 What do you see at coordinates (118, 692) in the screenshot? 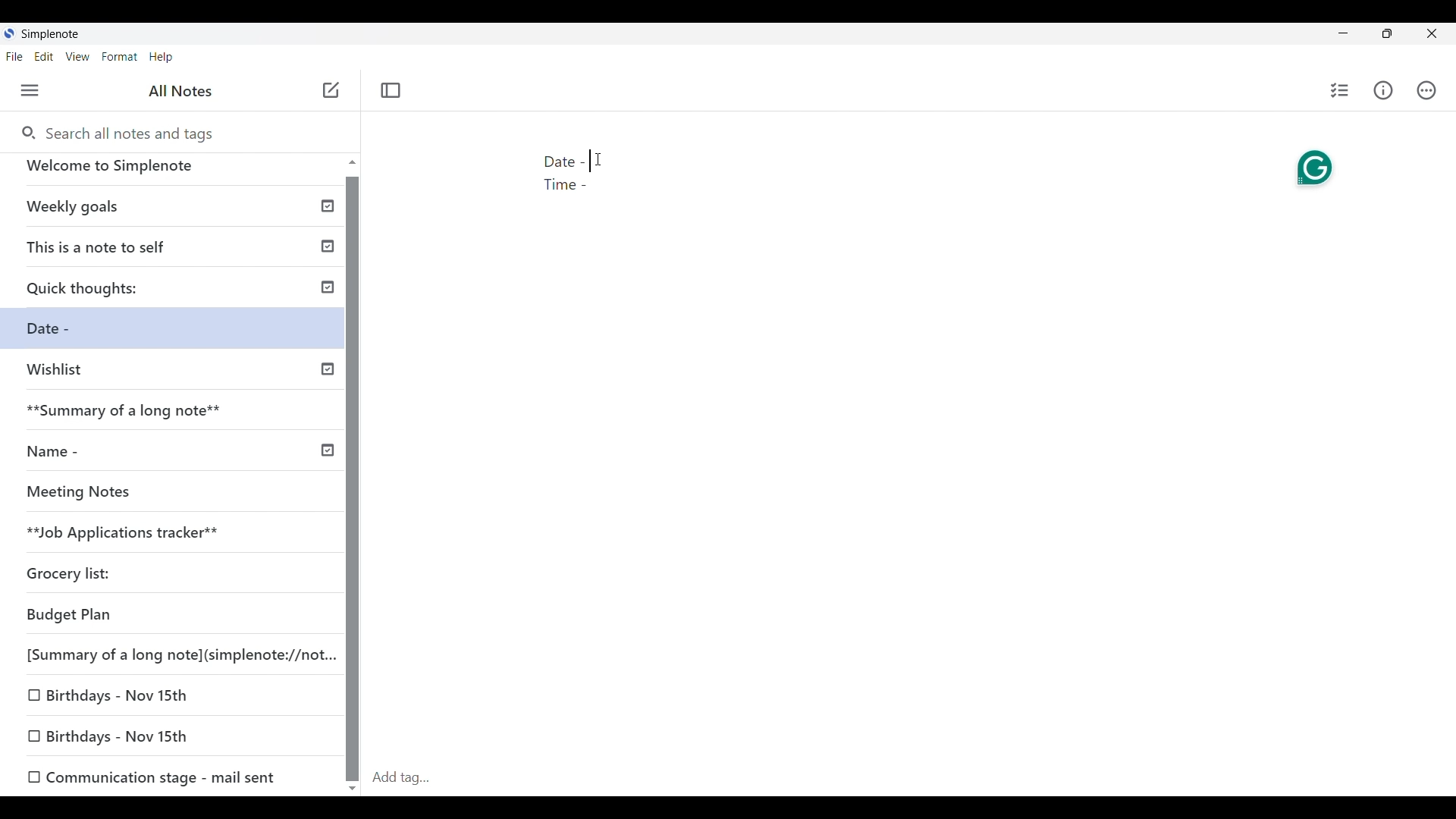
I see `Unpublished note` at bounding box center [118, 692].